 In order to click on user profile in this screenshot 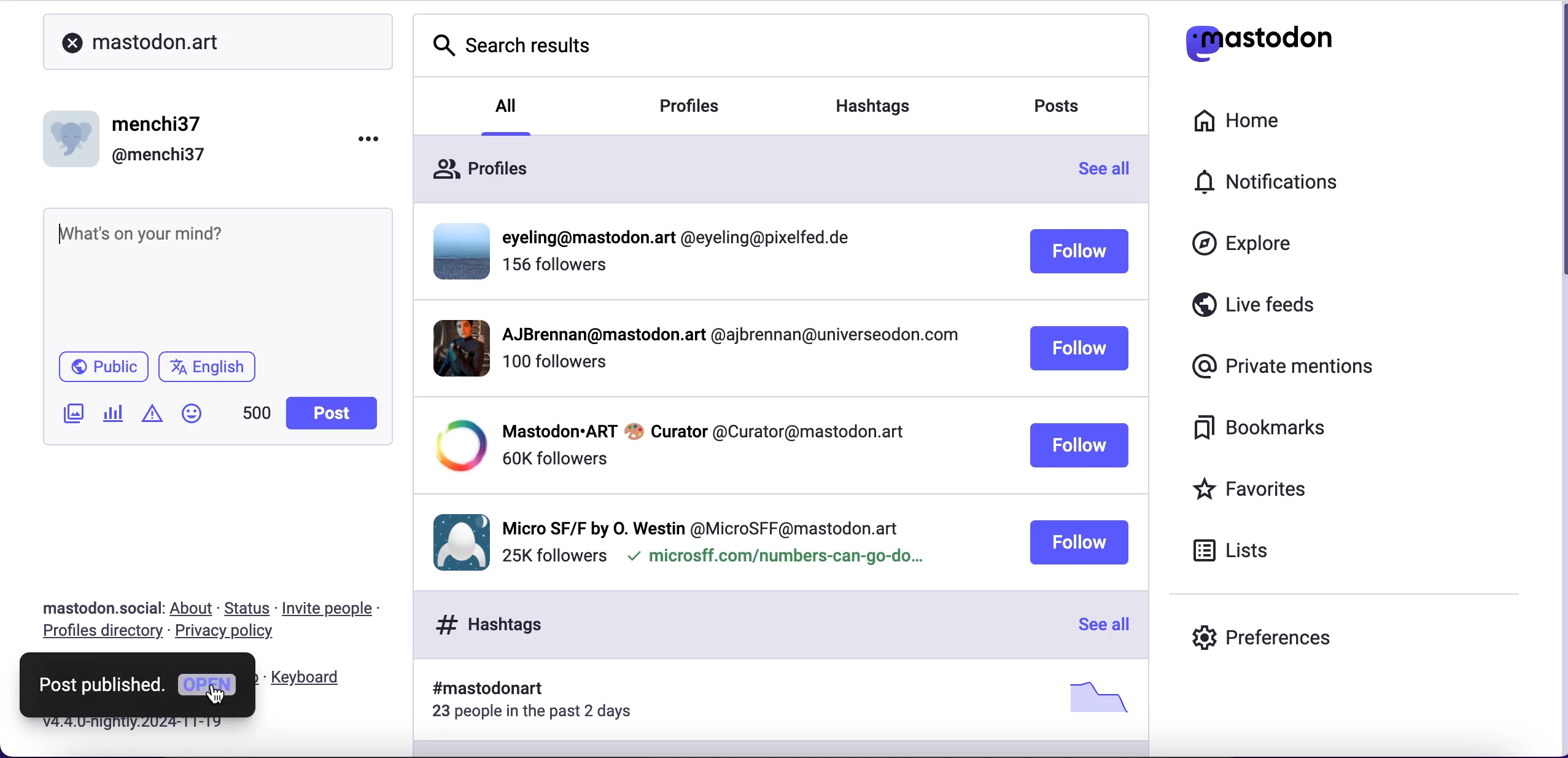, I will do `click(725, 445)`.